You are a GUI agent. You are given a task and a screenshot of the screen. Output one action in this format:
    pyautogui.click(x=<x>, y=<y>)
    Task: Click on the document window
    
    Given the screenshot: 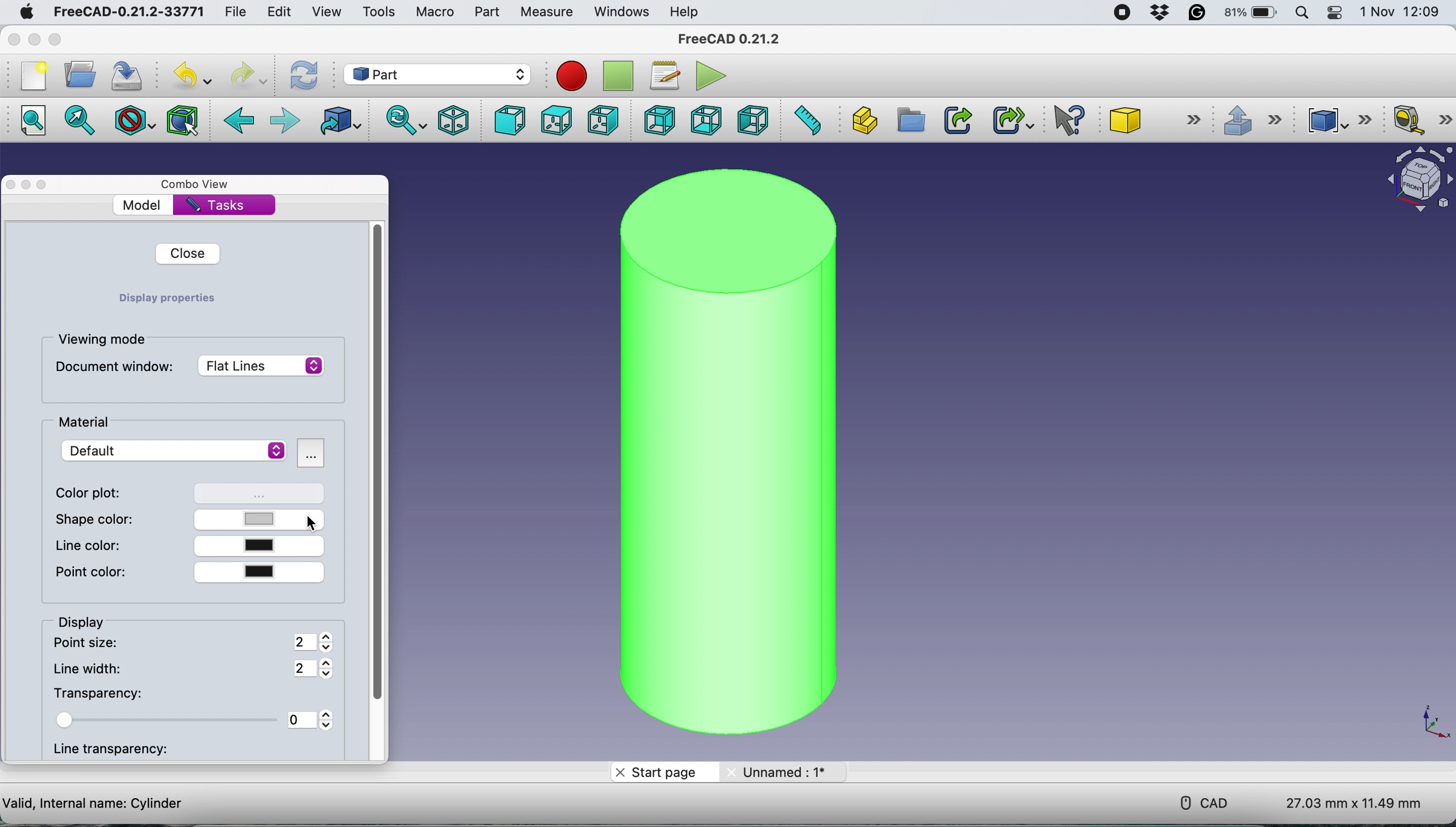 What is the action you would take?
    pyautogui.click(x=189, y=369)
    